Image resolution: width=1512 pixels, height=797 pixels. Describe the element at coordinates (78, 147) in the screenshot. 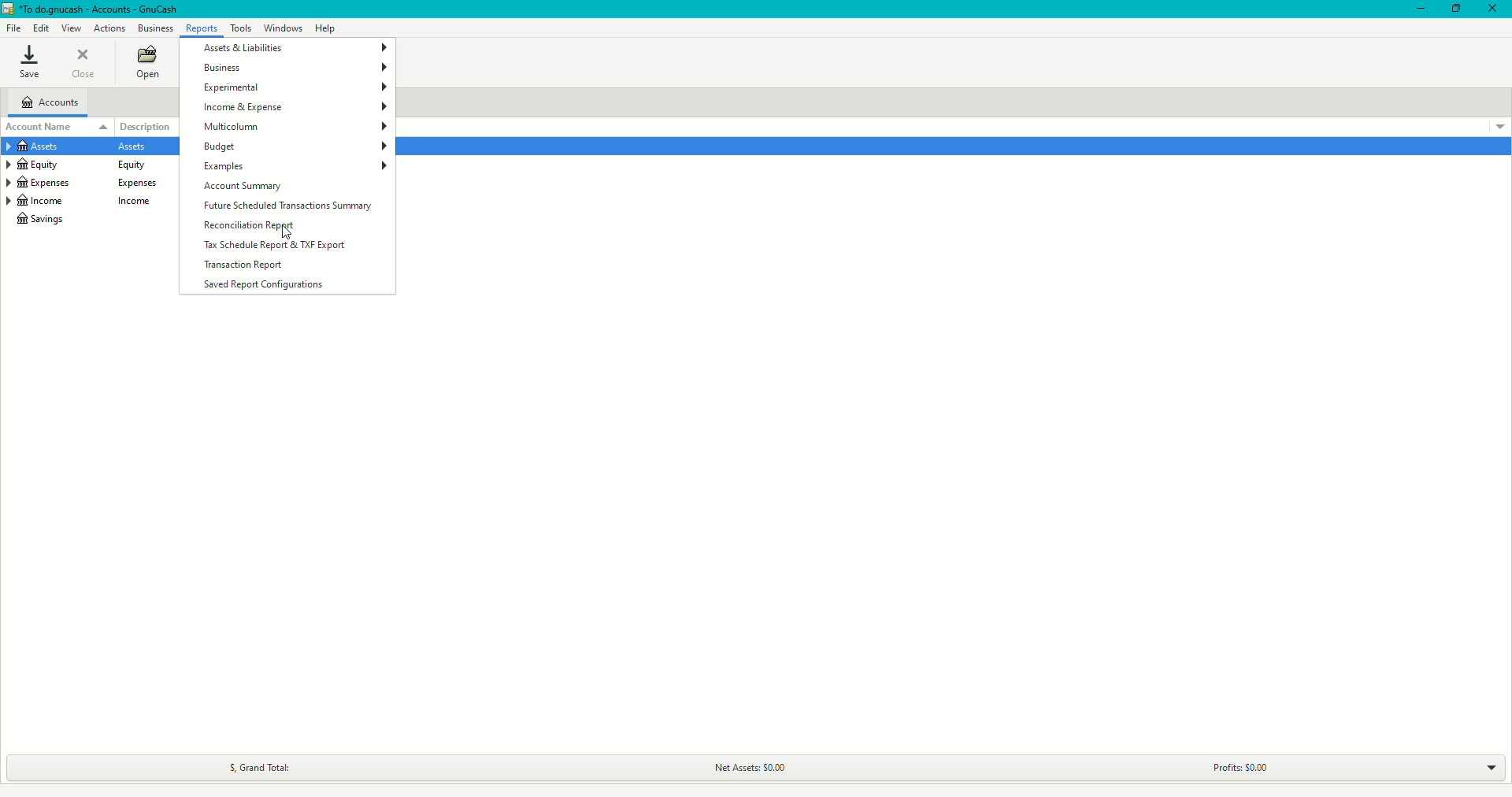

I see `` at that location.